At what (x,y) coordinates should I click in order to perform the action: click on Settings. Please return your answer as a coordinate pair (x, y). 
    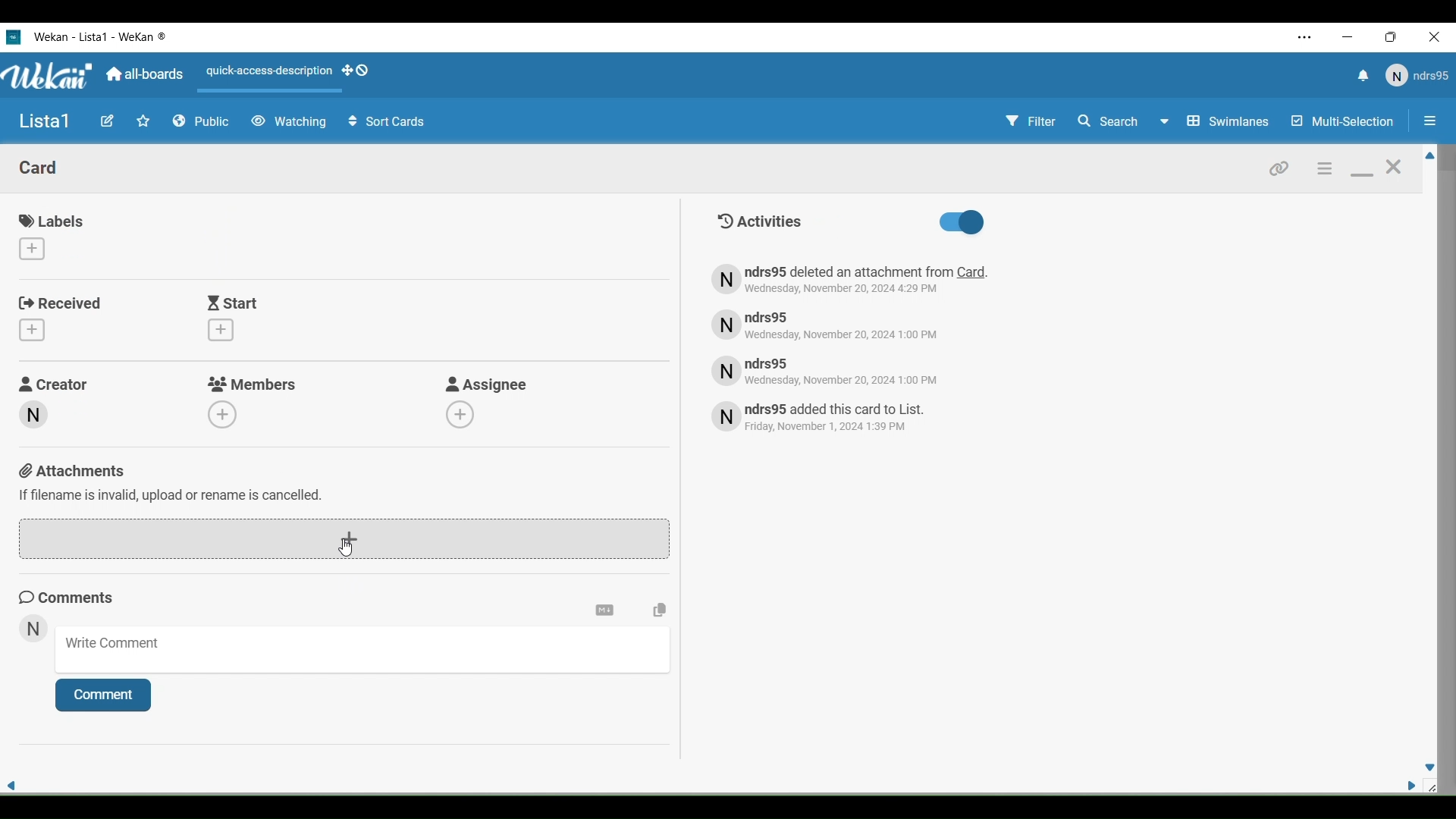
    Looking at the image, I should click on (604, 610).